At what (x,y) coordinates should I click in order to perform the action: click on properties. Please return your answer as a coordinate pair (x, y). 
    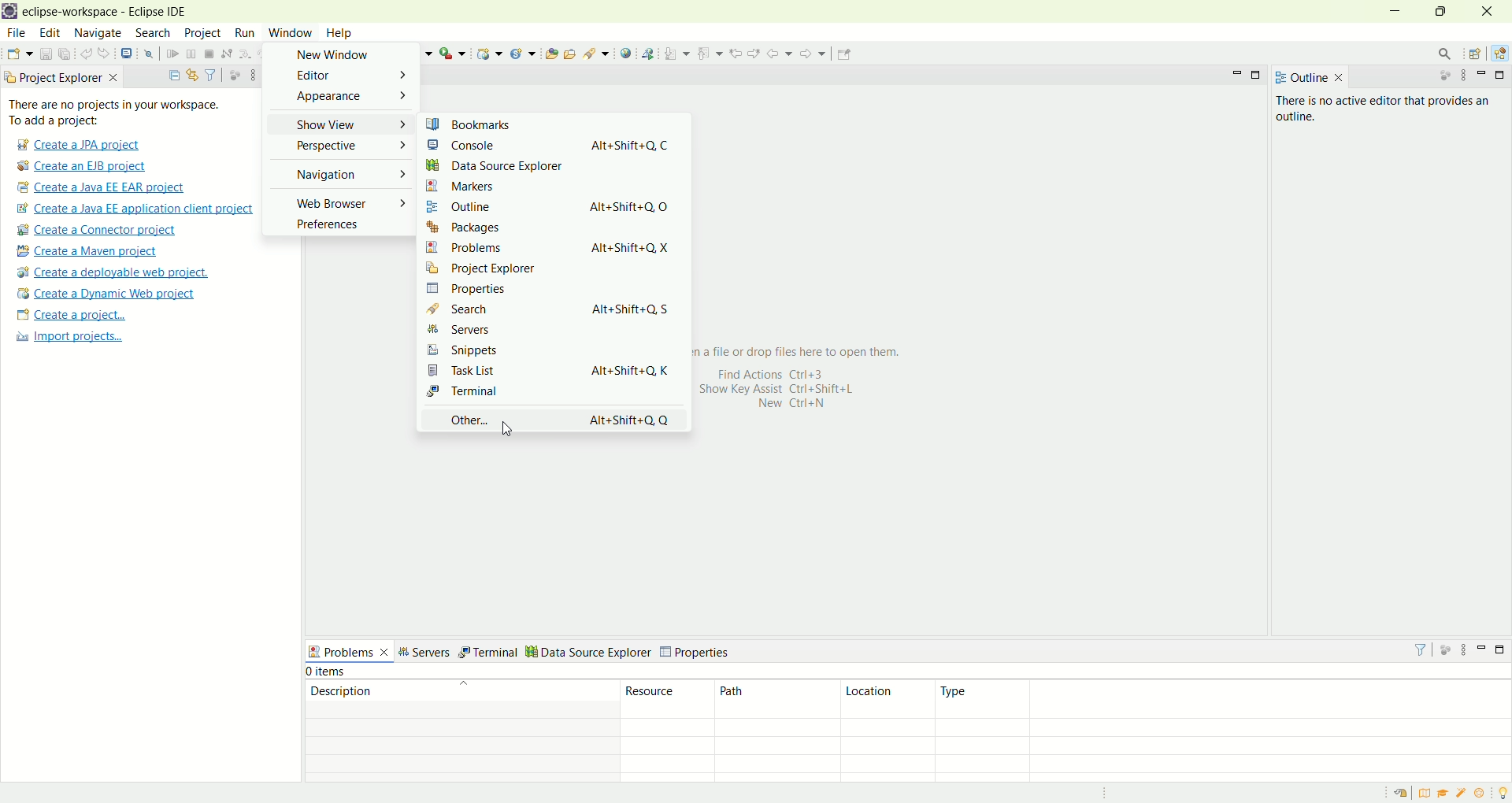
    Looking at the image, I should click on (696, 650).